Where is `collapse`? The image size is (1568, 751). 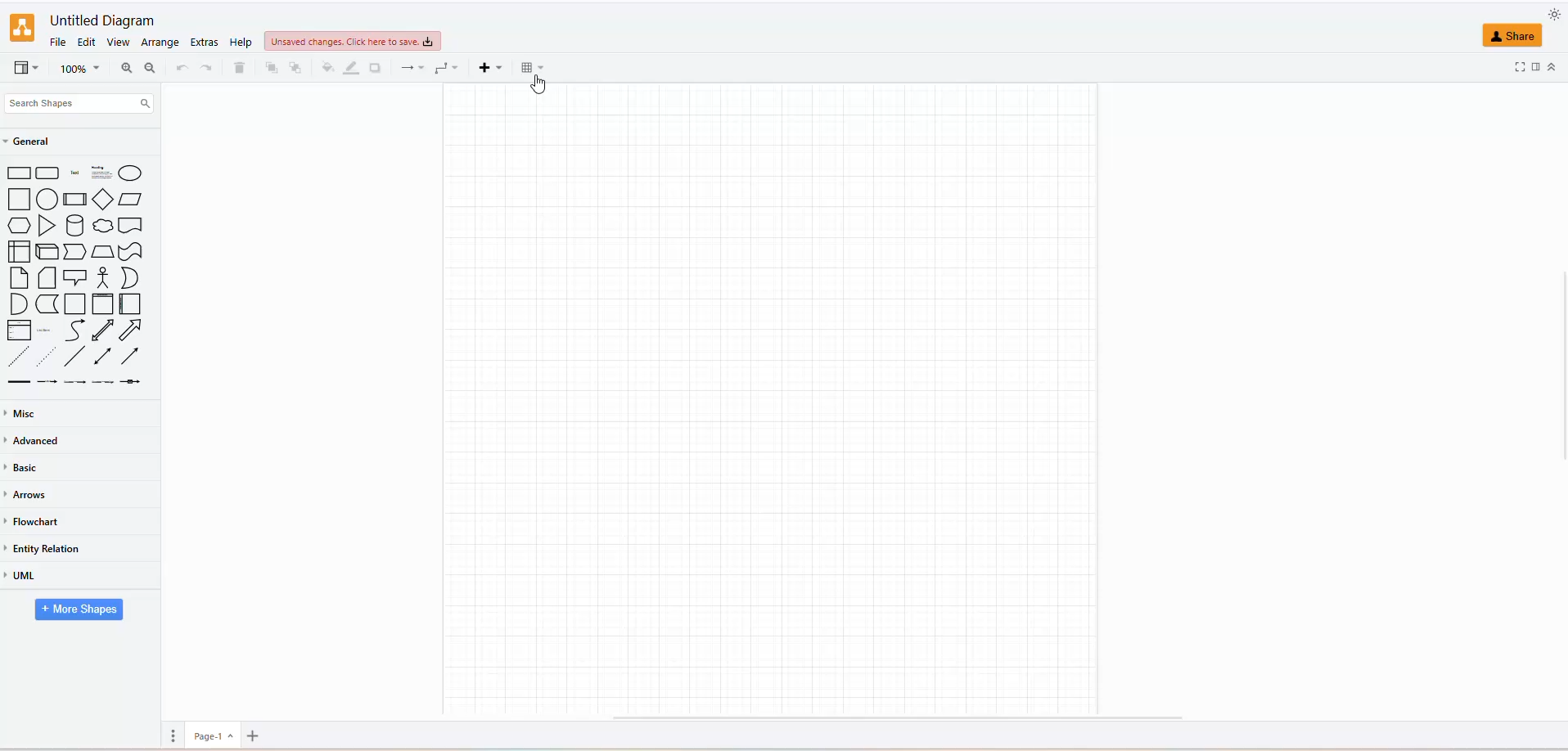 collapse is located at coordinates (1552, 65).